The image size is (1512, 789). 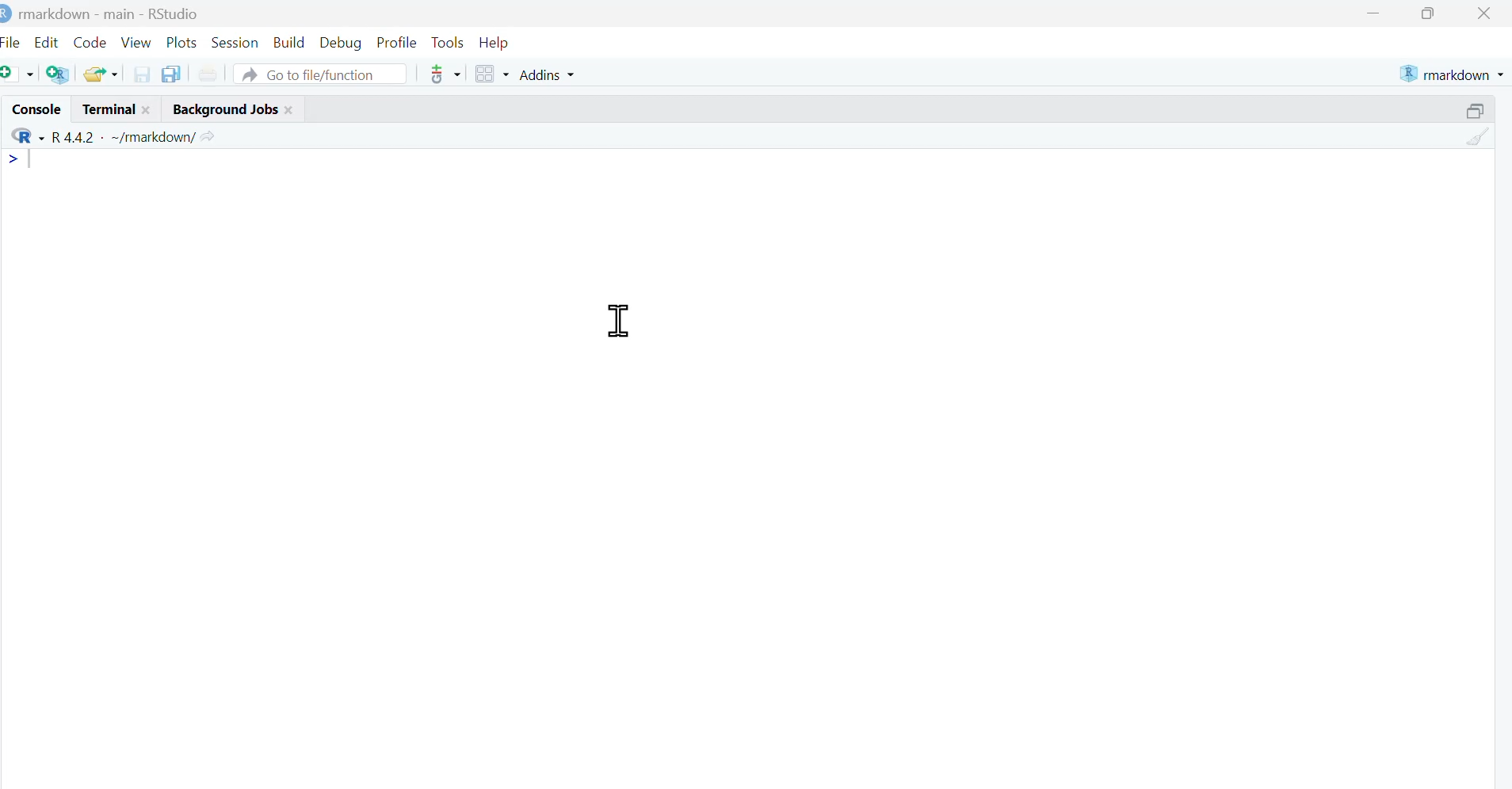 I want to click on close, so click(x=1487, y=13).